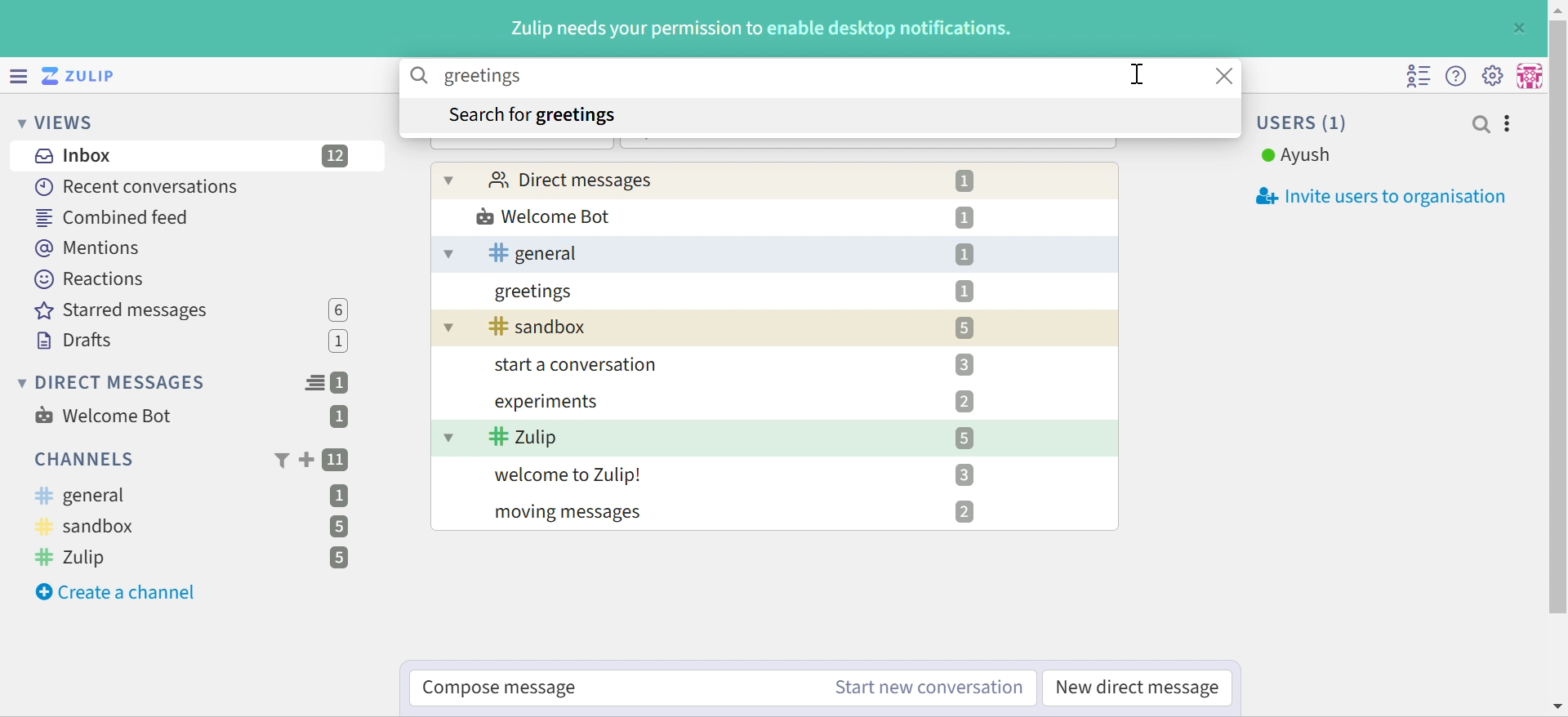 The width and height of the screenshot is (1568, 717). What do you see at coordinates (1296, 156) in the screenshot?
I see `Ayush` at bounding box center [1296, 156].